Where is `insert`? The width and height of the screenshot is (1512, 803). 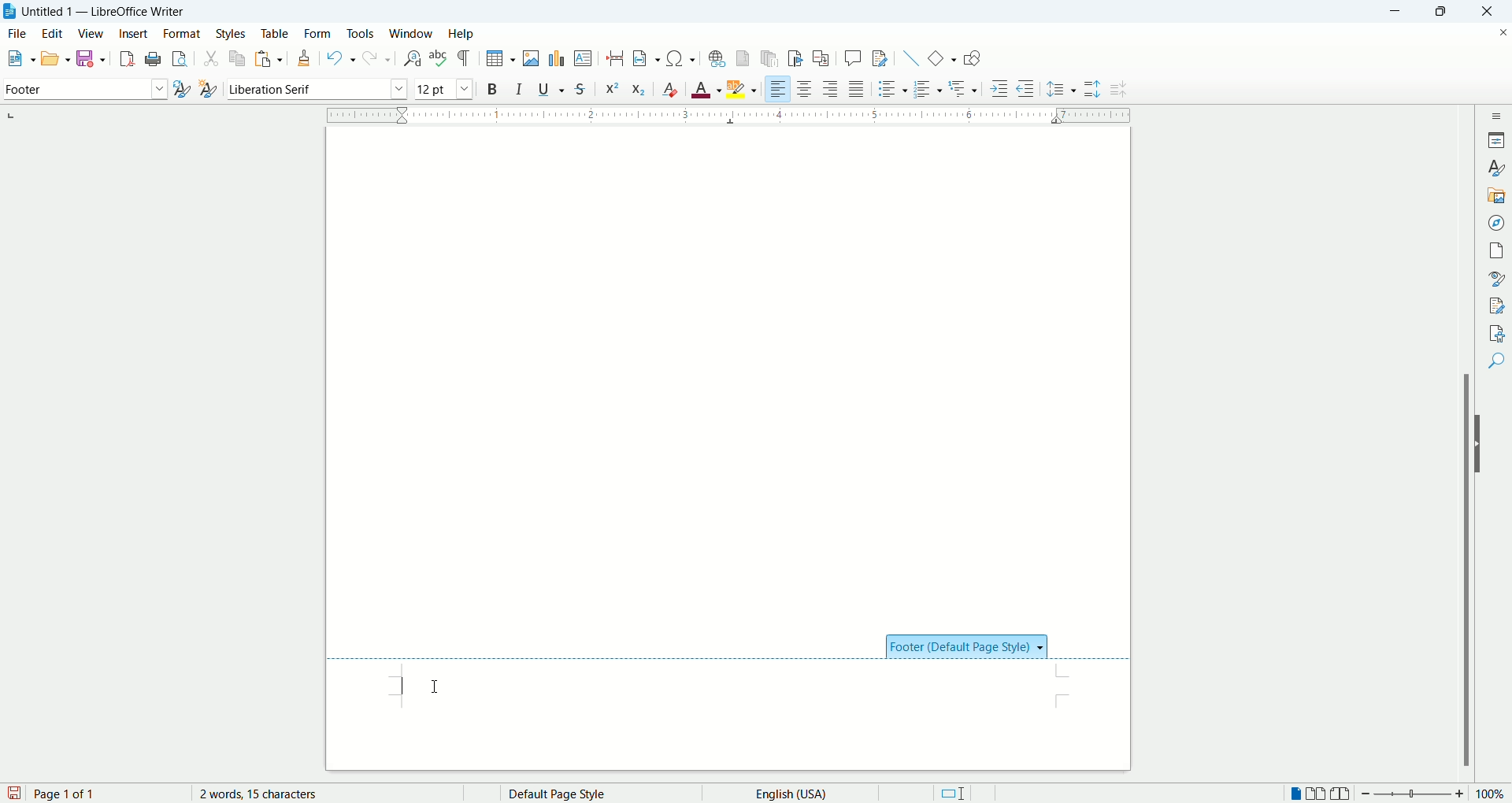
insert is located at coordinates (133, 33).